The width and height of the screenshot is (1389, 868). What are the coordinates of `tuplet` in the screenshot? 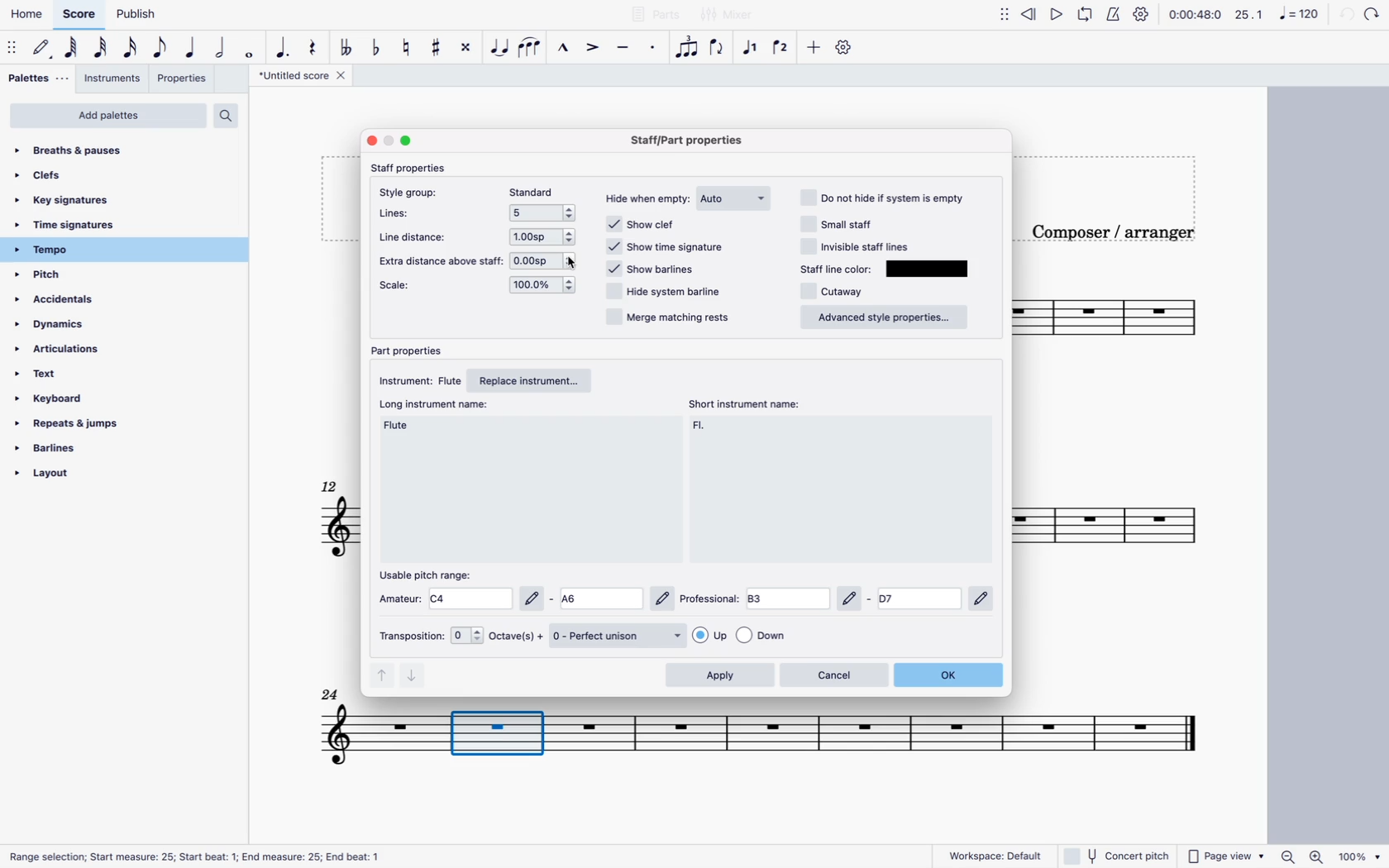 It's located at (686, 48).